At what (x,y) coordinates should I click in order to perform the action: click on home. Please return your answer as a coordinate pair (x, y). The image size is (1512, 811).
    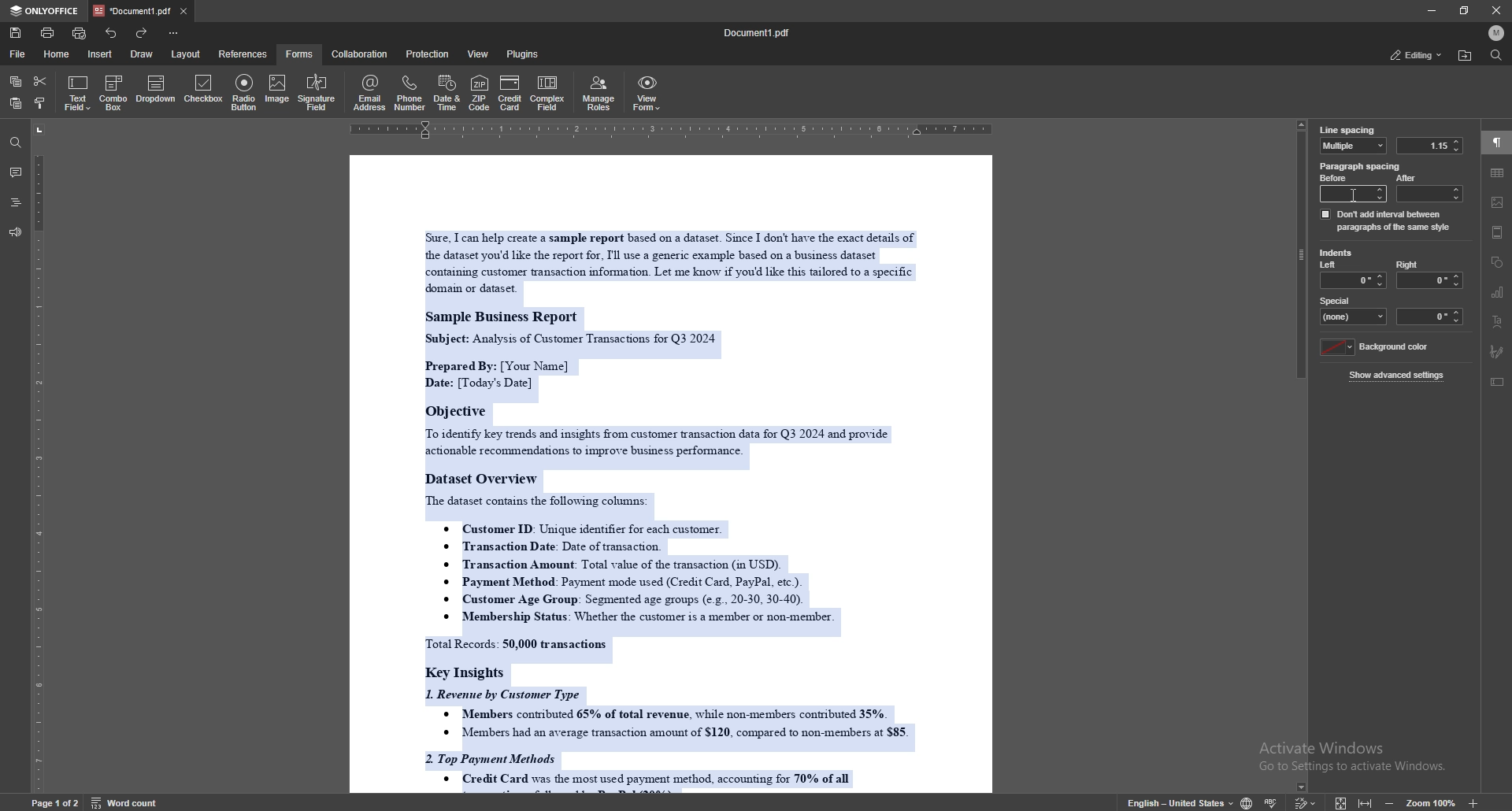
    Looking at the image, I should click on (59, 54).